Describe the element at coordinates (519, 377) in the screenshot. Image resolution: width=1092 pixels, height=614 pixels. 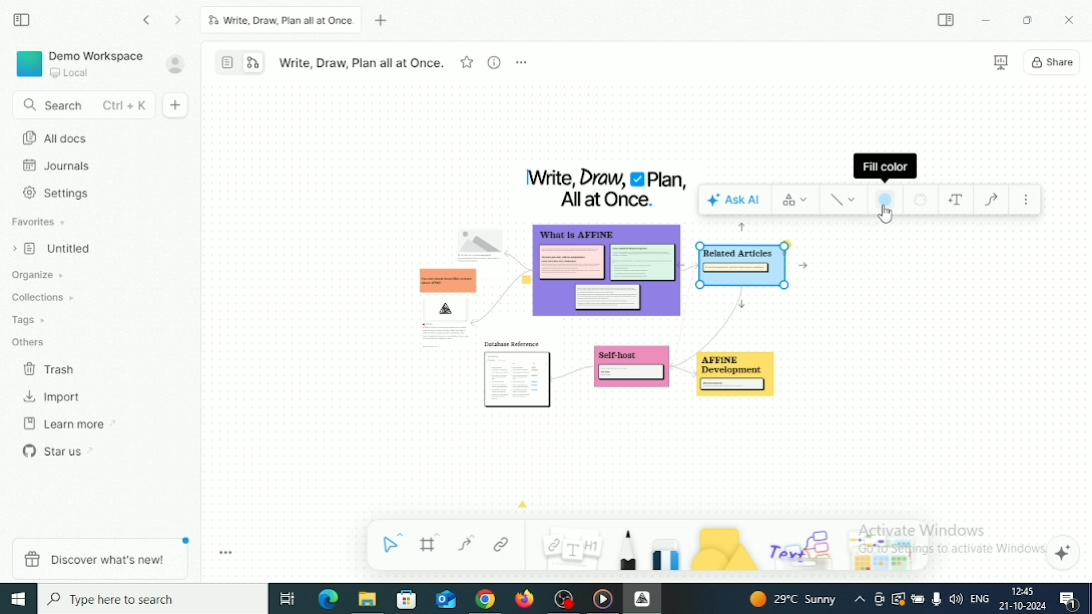
I see `Sticky notes` at that location.